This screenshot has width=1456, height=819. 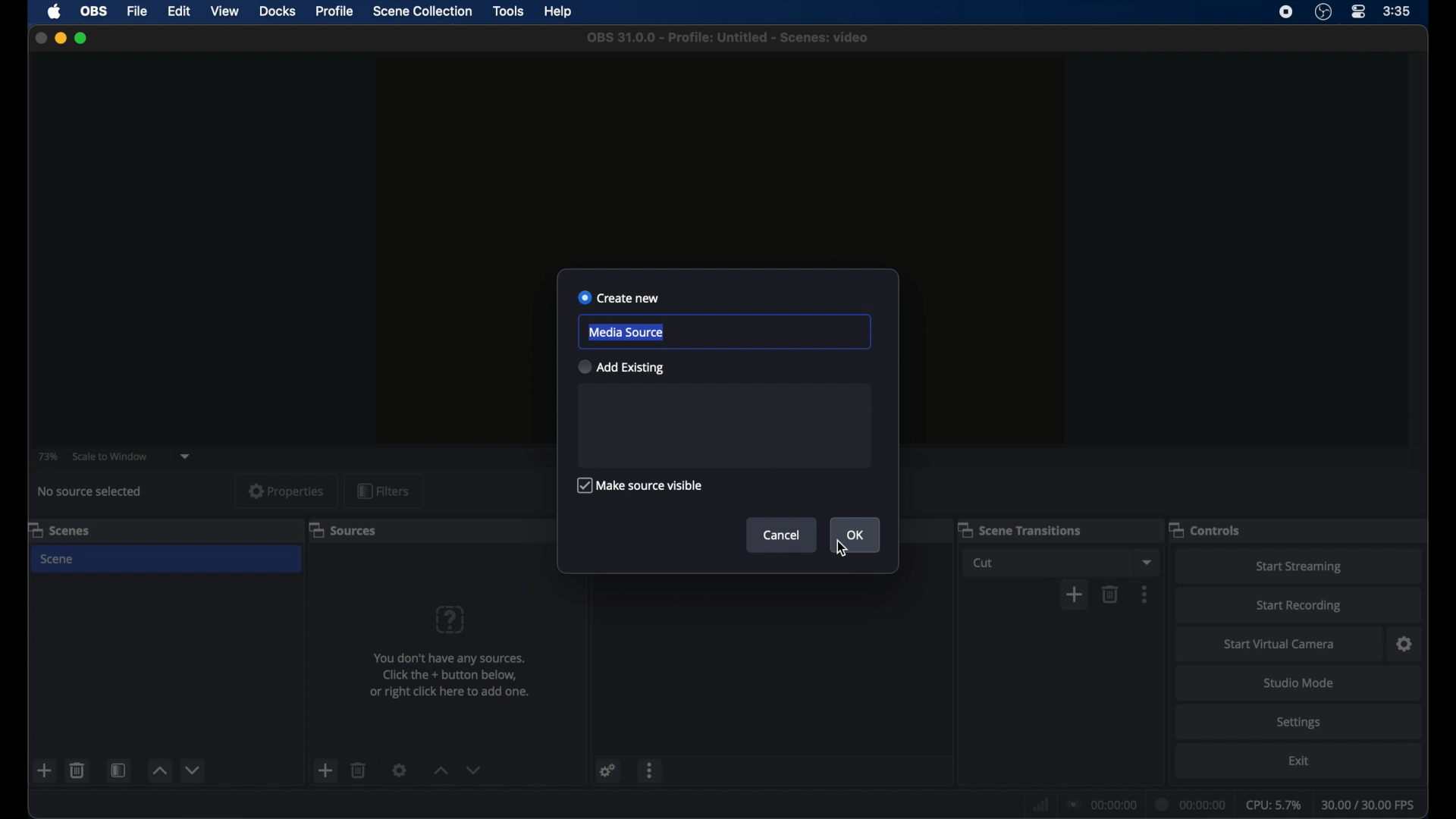 I want to click on cancel, so click(x=782, y=535).